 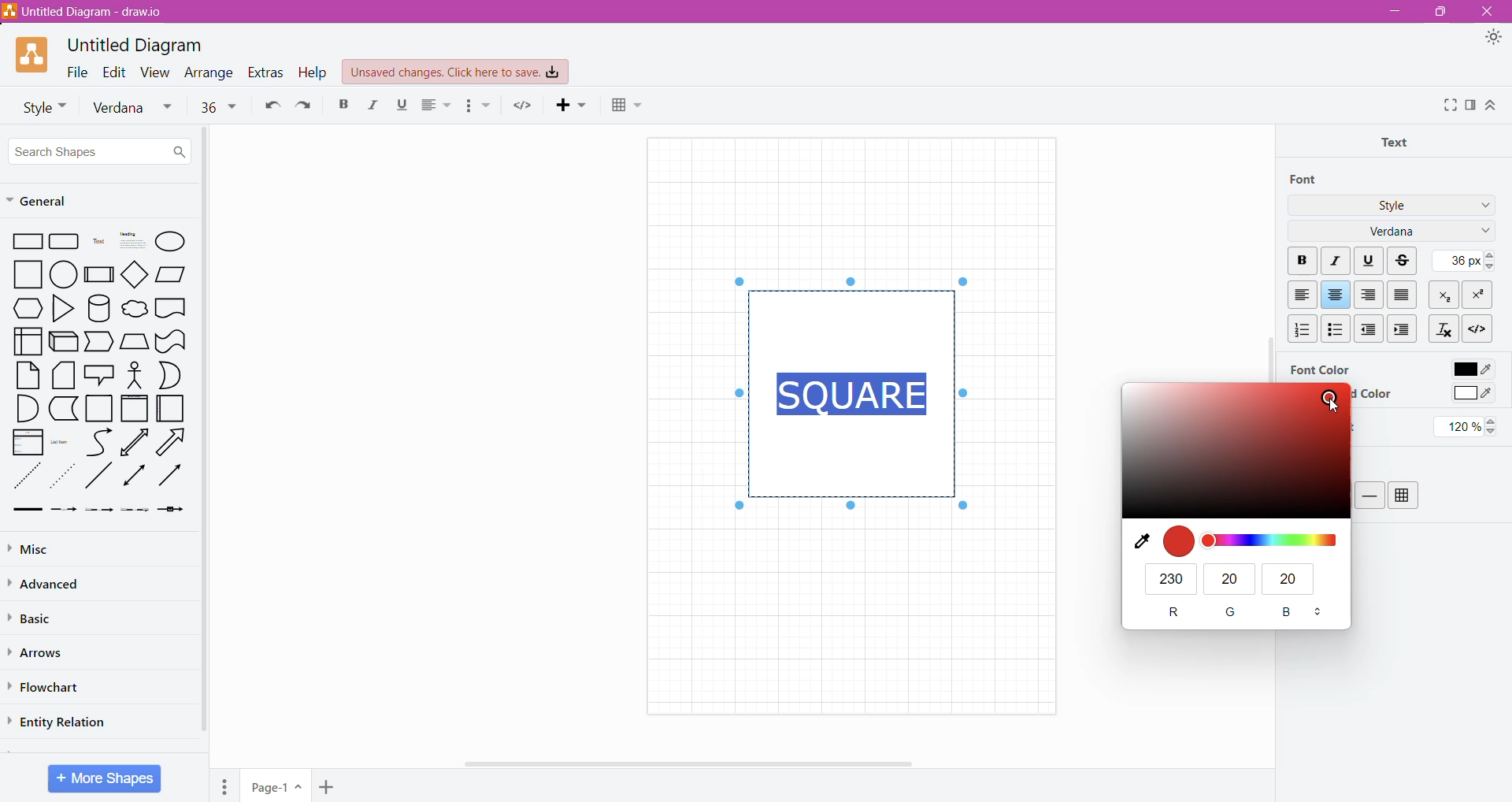 What do you see at coordinates (1173, 612) in the screenshot?
I see `R` at bounding box center [1173, 612].